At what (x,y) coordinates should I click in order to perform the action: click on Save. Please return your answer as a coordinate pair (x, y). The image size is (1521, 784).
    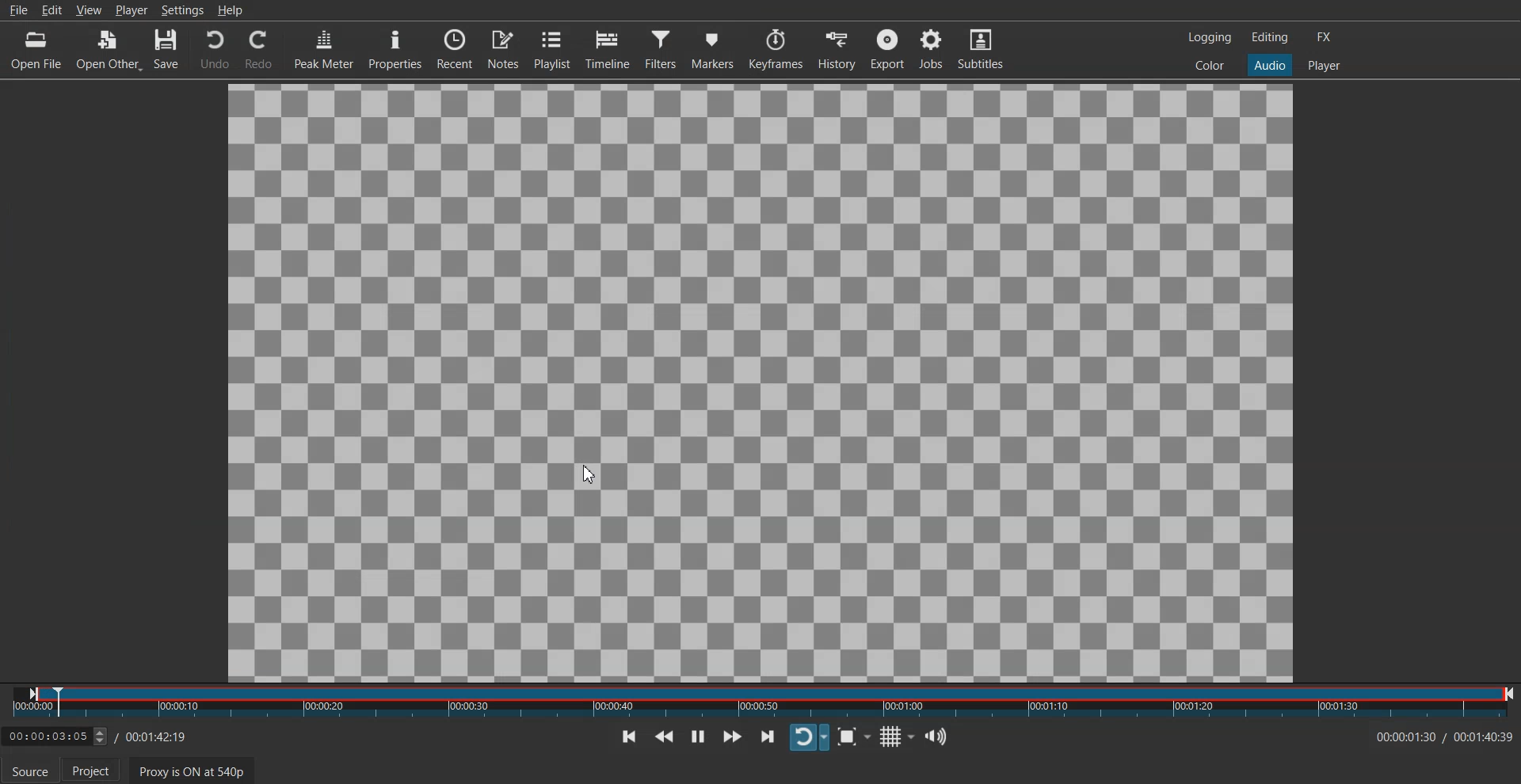
    Looking at the image, I should click on (169, 49).